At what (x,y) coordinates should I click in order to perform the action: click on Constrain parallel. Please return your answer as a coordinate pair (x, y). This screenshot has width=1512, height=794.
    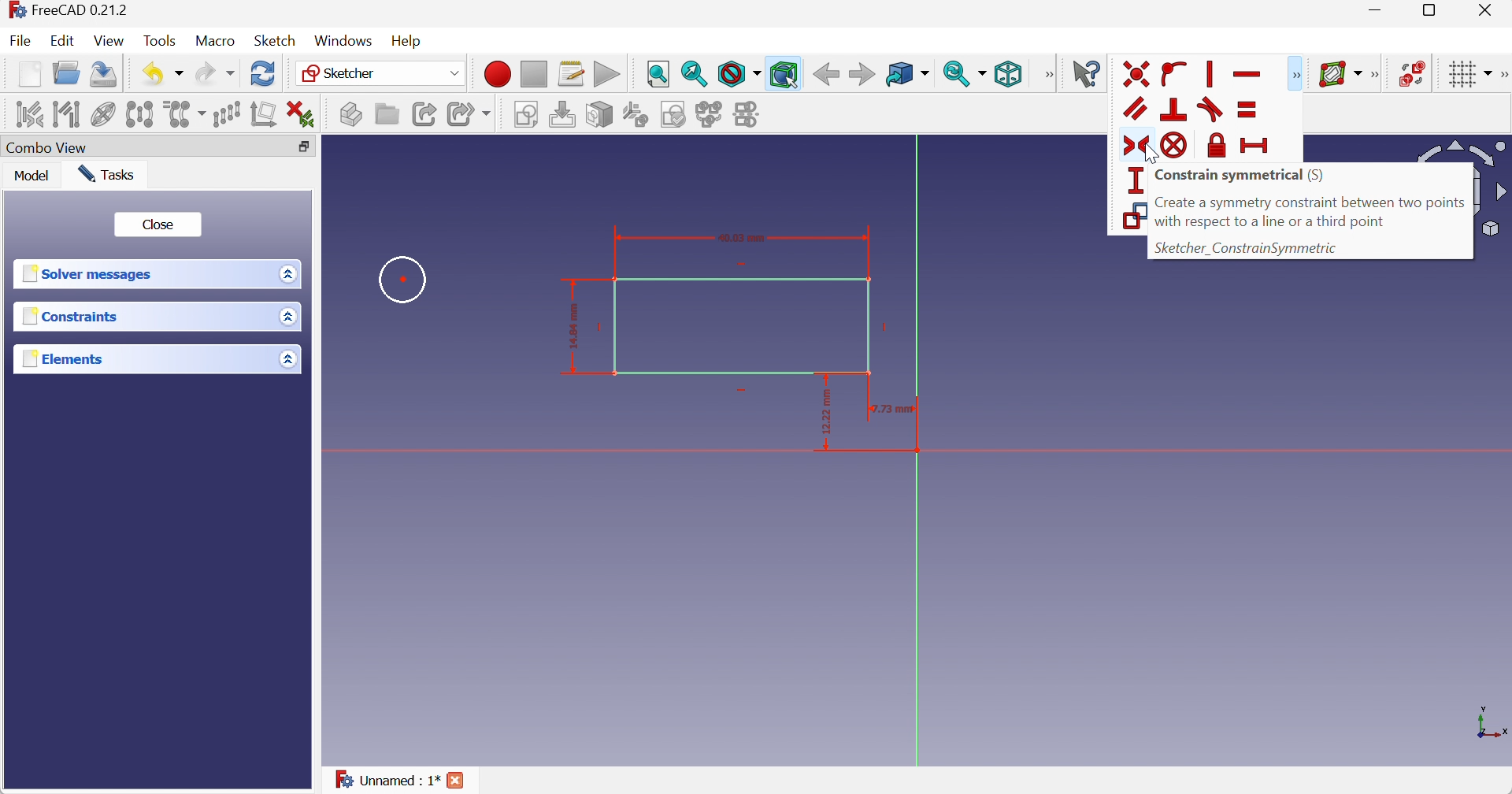
    Looking at the image, I should click on (1137, 108).